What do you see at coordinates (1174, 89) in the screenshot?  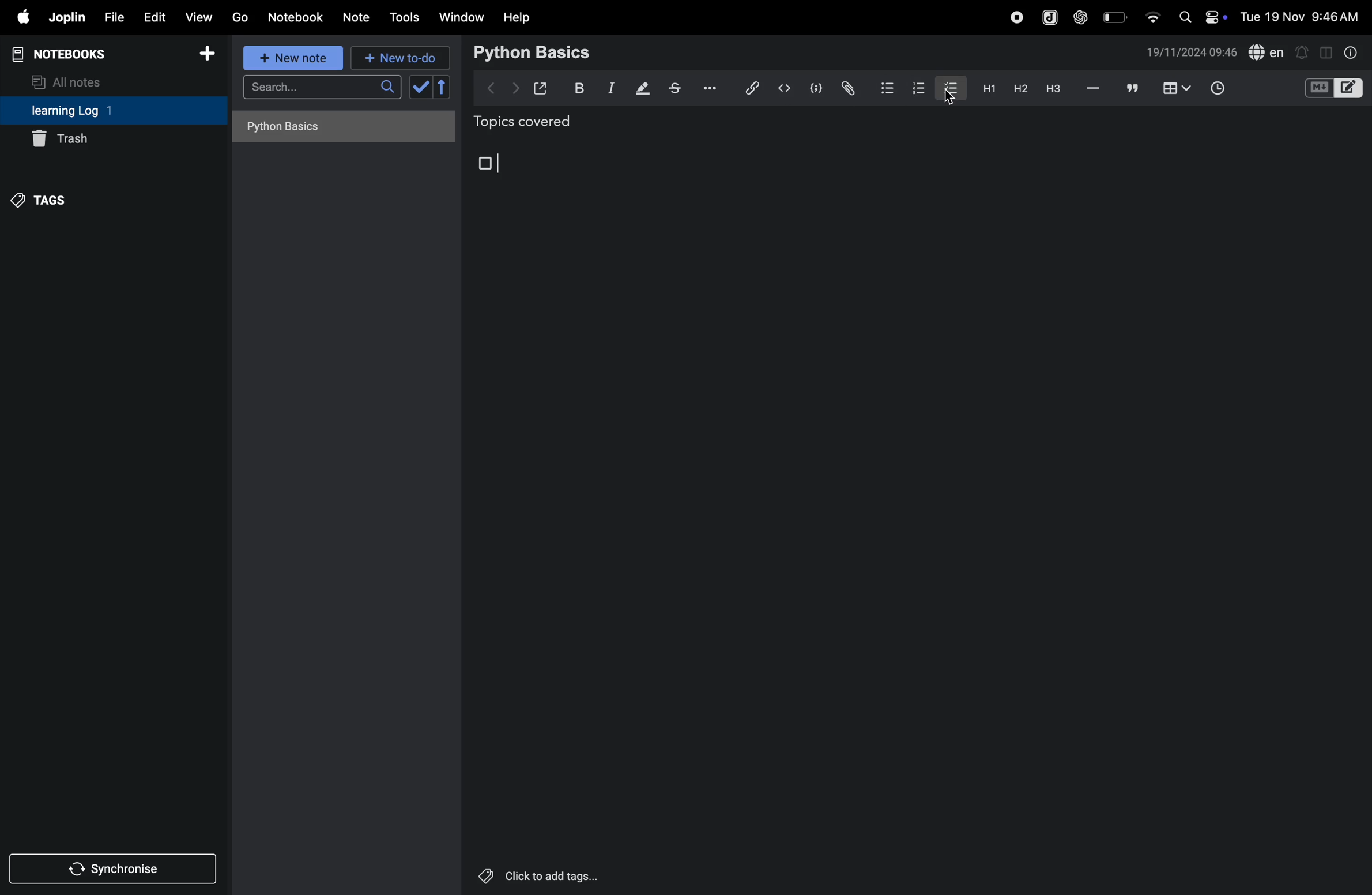 I see `add table` at bounding box center [1174, 89].